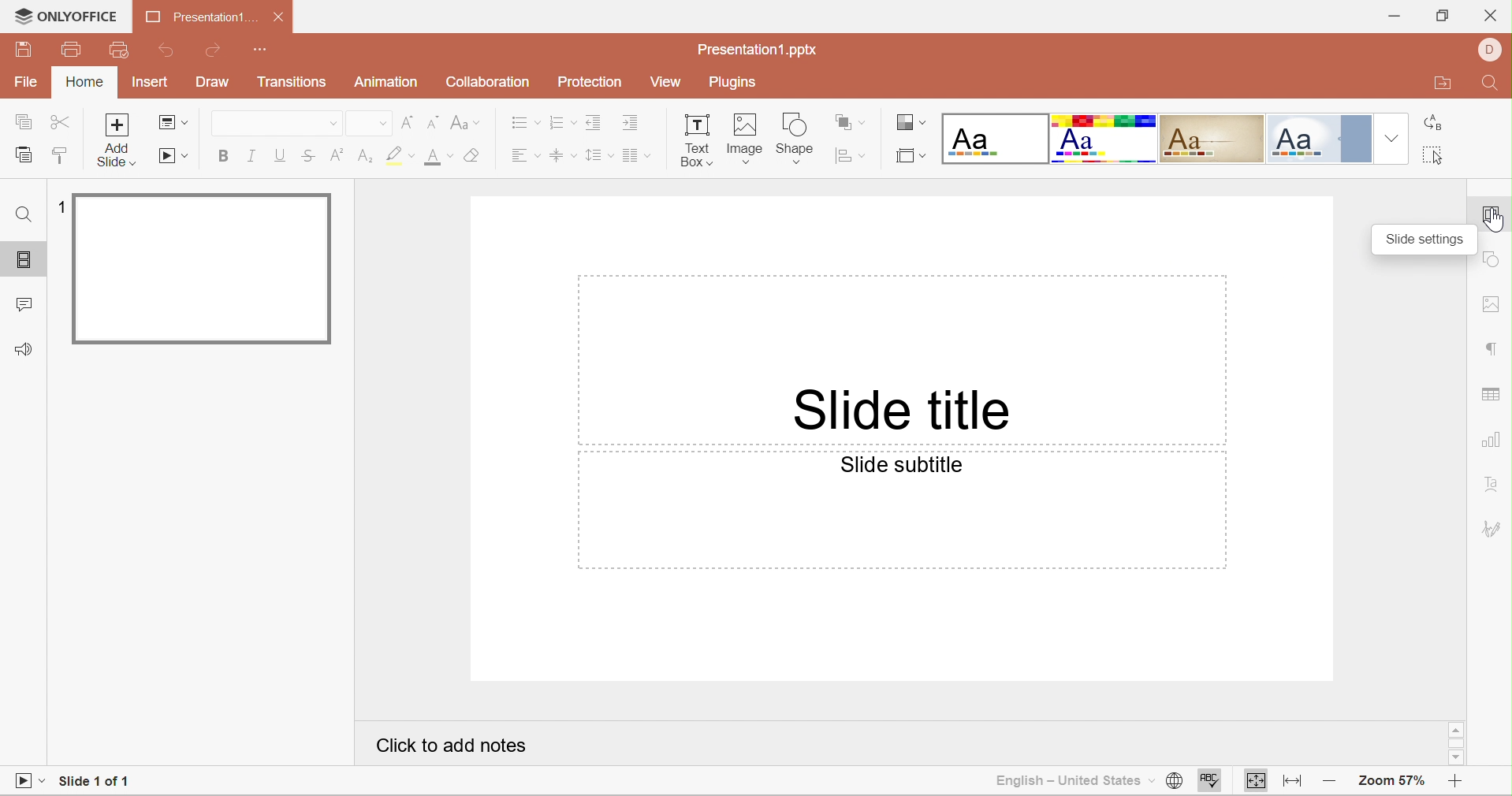 The width and height of the screenshot is (1512, 796). What do you see at coordinates (438, 157) in the screenshot?
I see `Font size` at bounding box center [438, 157].